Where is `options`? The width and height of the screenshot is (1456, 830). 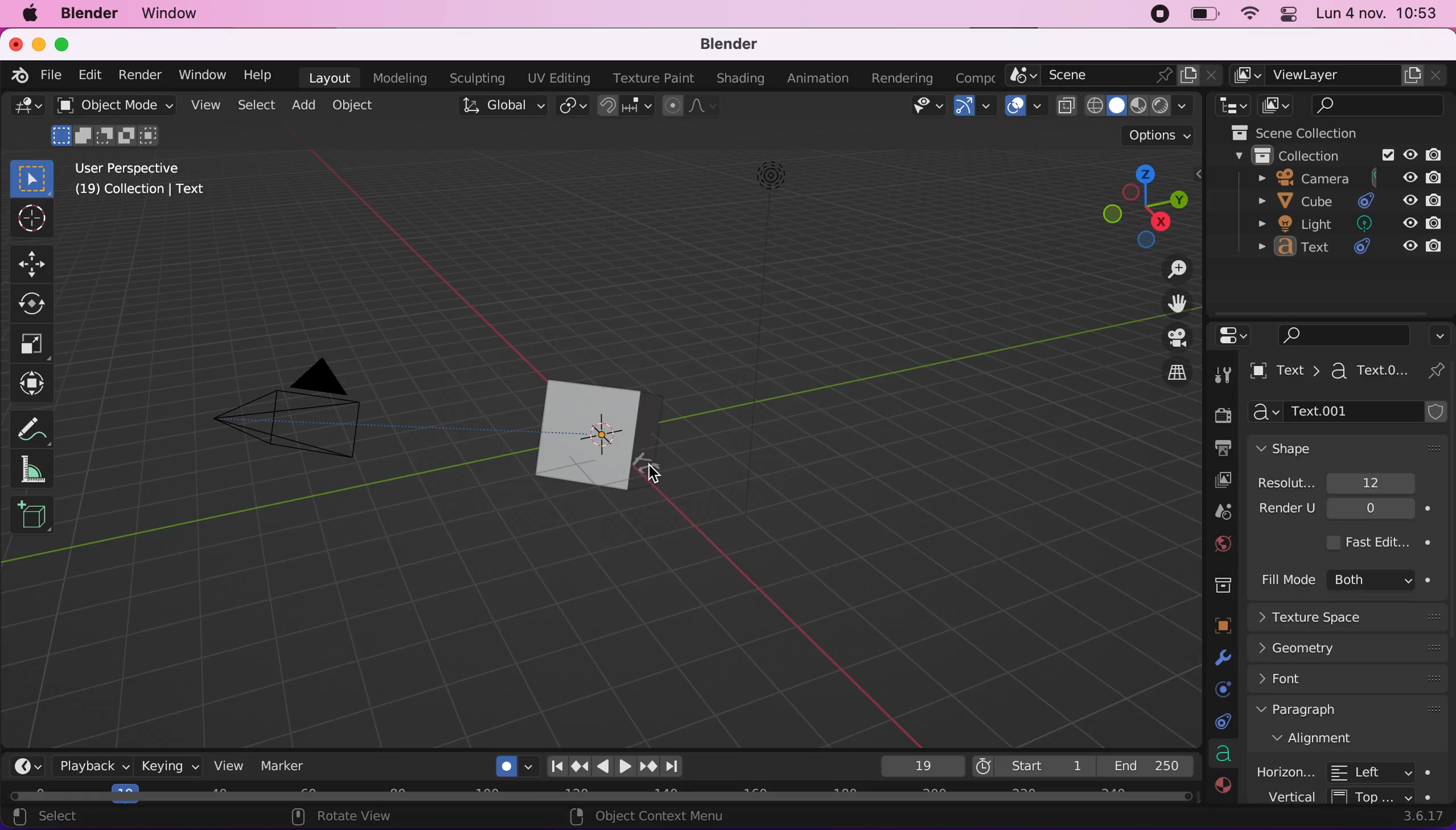 options is located at coordinates (1156, 134).